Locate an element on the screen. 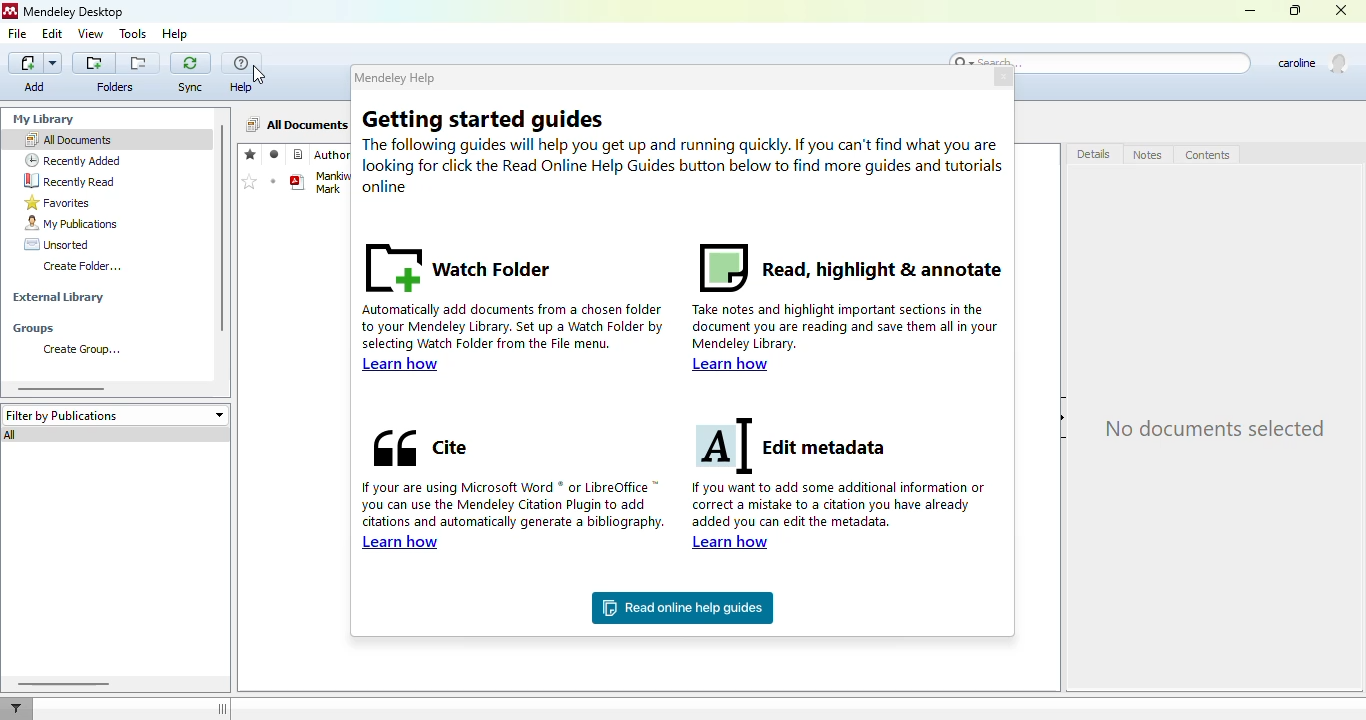  folders is located at coordinates (115, 74).